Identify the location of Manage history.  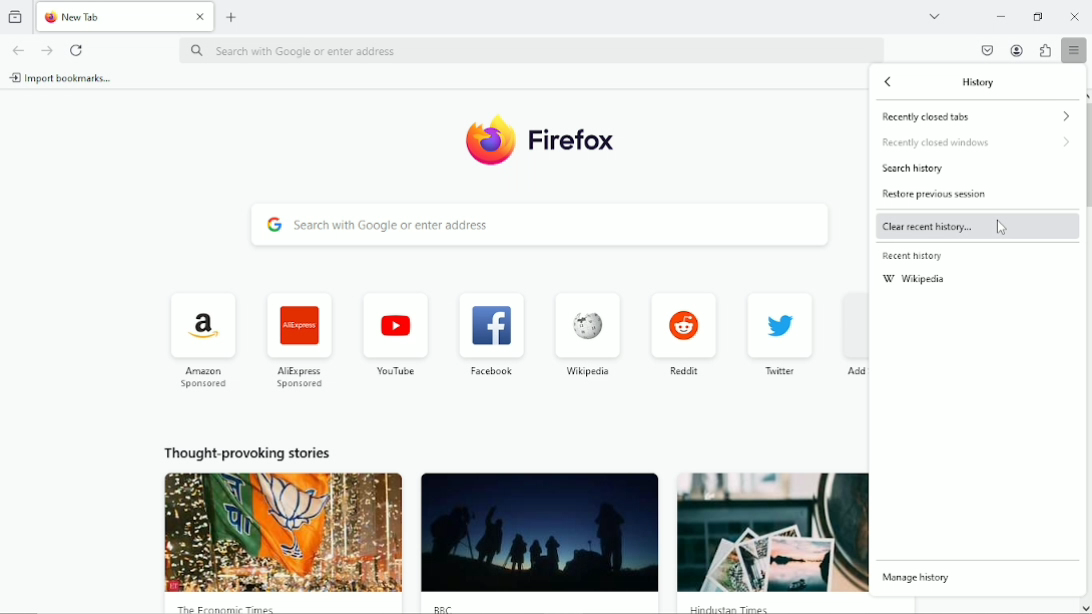
(915, 577).